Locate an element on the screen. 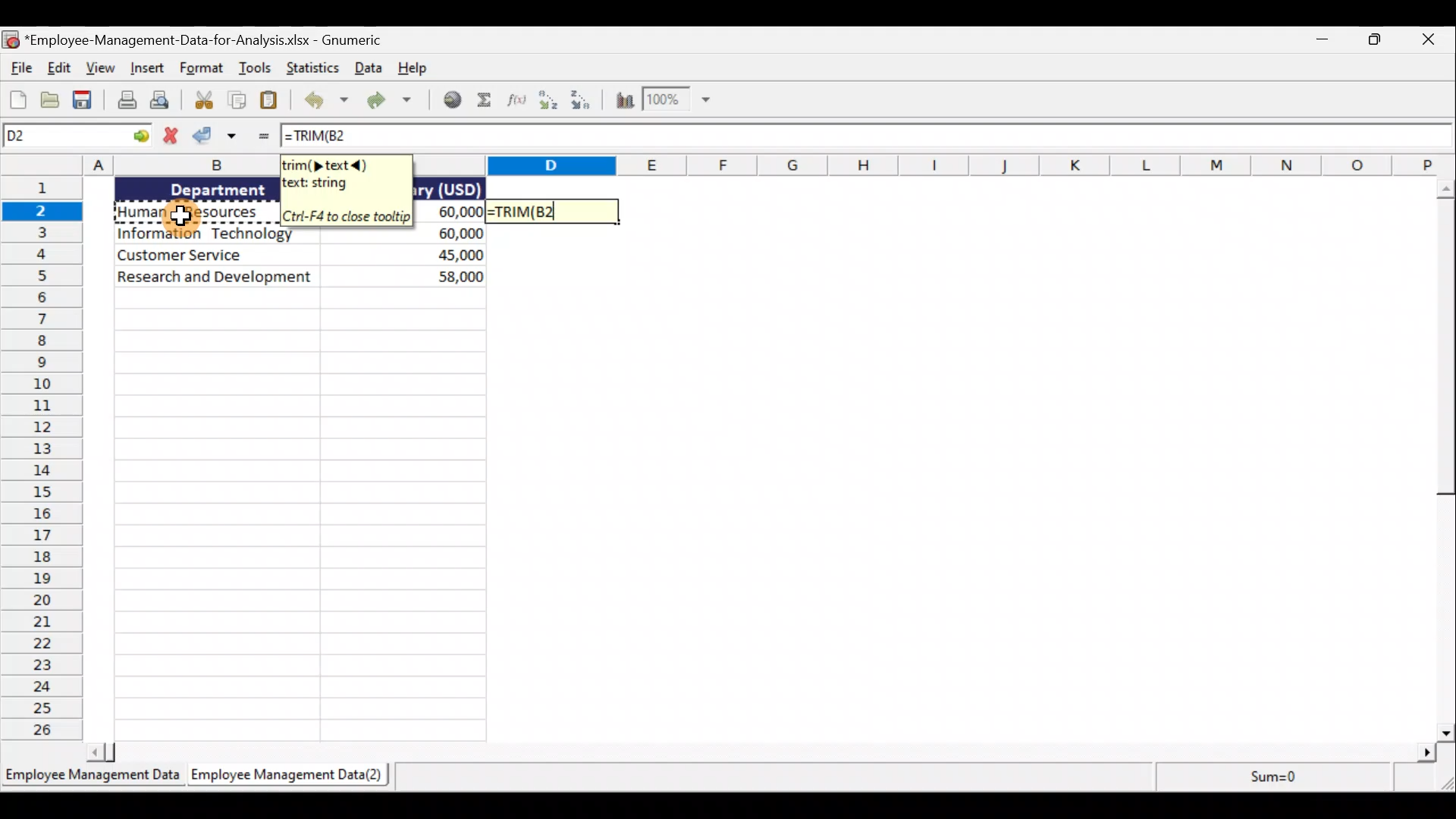 This screenshot has width=1456, height=819. View is located at coordinates (99, 71).